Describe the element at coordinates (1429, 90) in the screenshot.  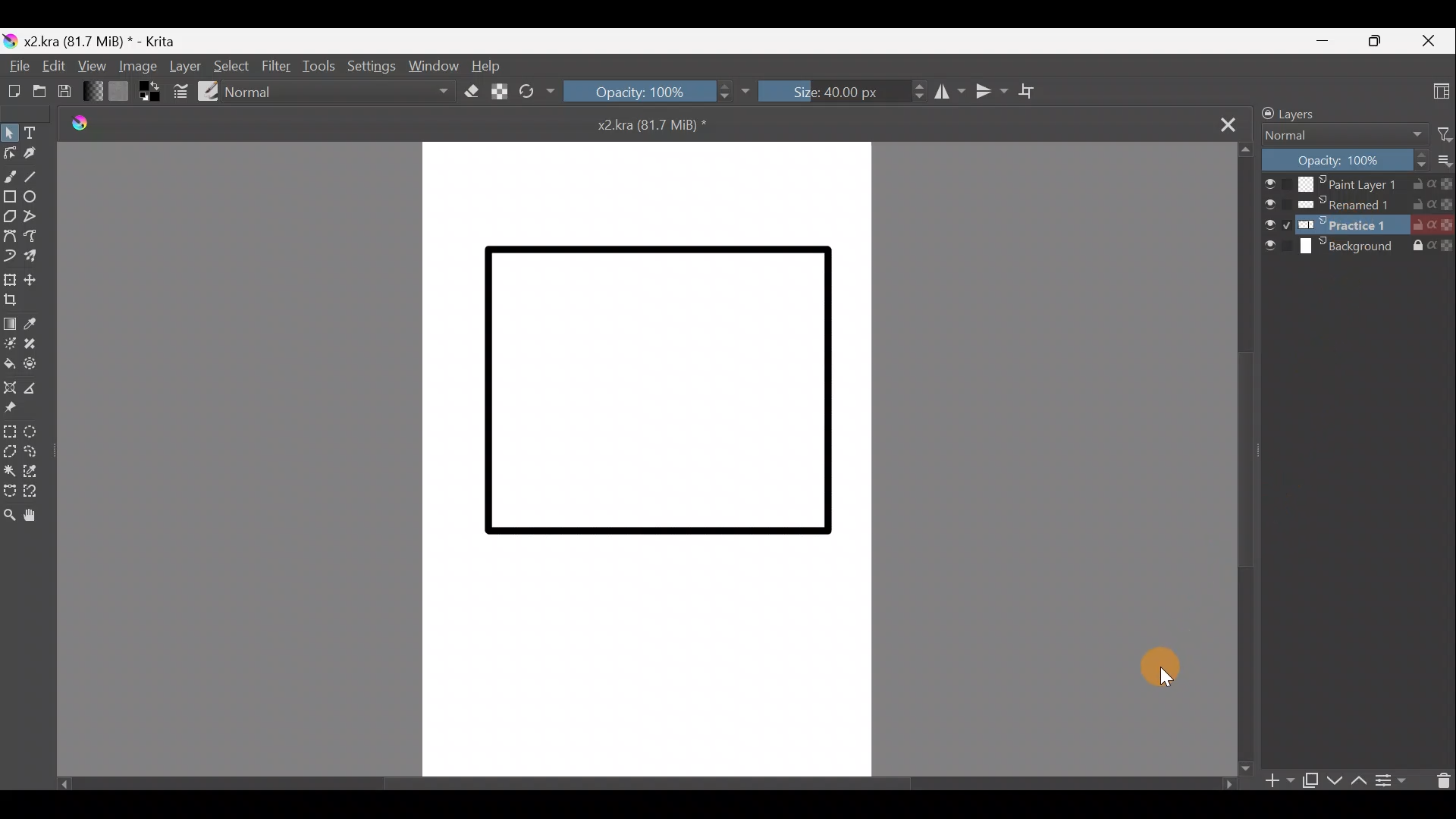
I see `Choose workspace` at that location.